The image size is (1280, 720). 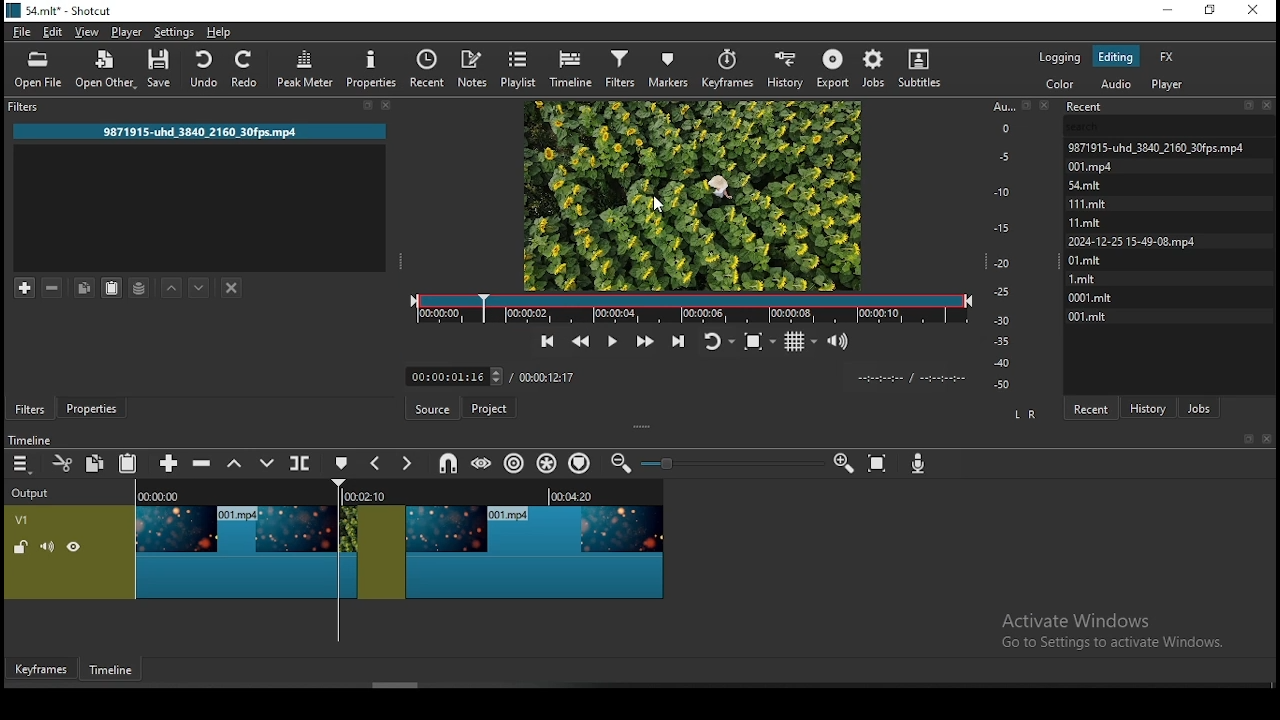 I want to click on properties, so click(x=372, y=68).